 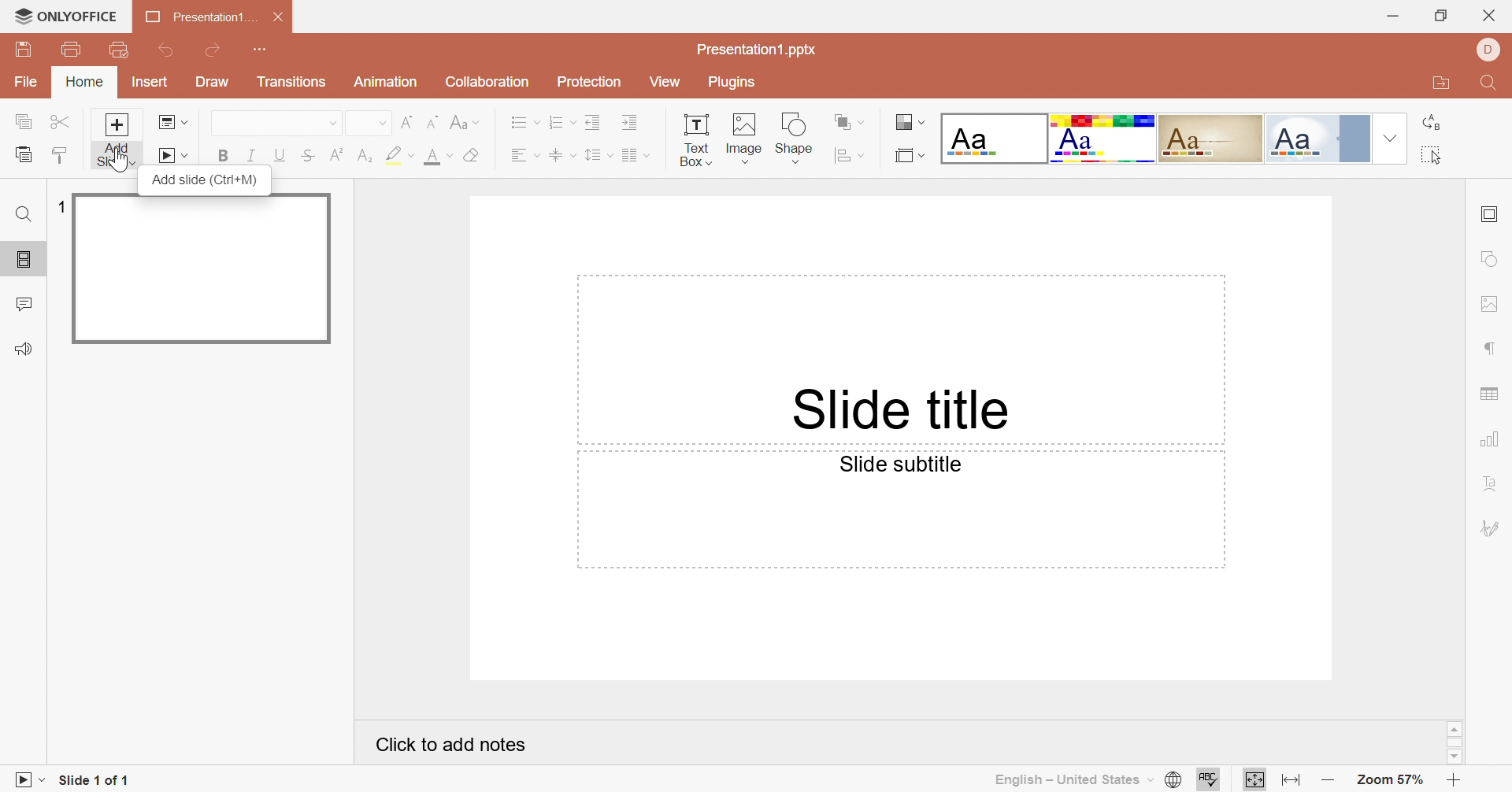 What do you see at coordinates (17, 260) in the screenshot?
I see `Slides` at bounding box center [17, 260].